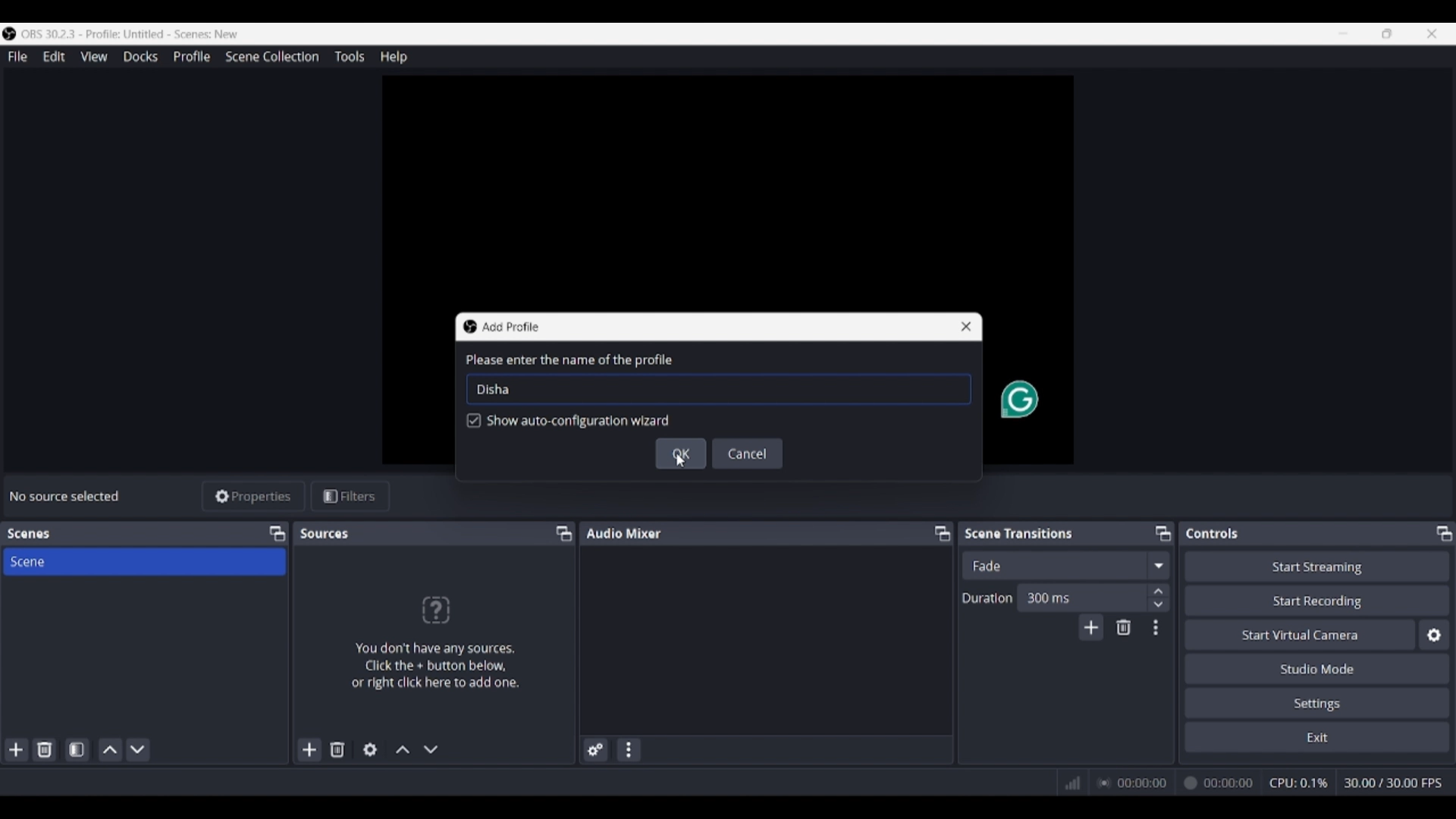  I want to click on Float controls panel, so click(1444, 533).